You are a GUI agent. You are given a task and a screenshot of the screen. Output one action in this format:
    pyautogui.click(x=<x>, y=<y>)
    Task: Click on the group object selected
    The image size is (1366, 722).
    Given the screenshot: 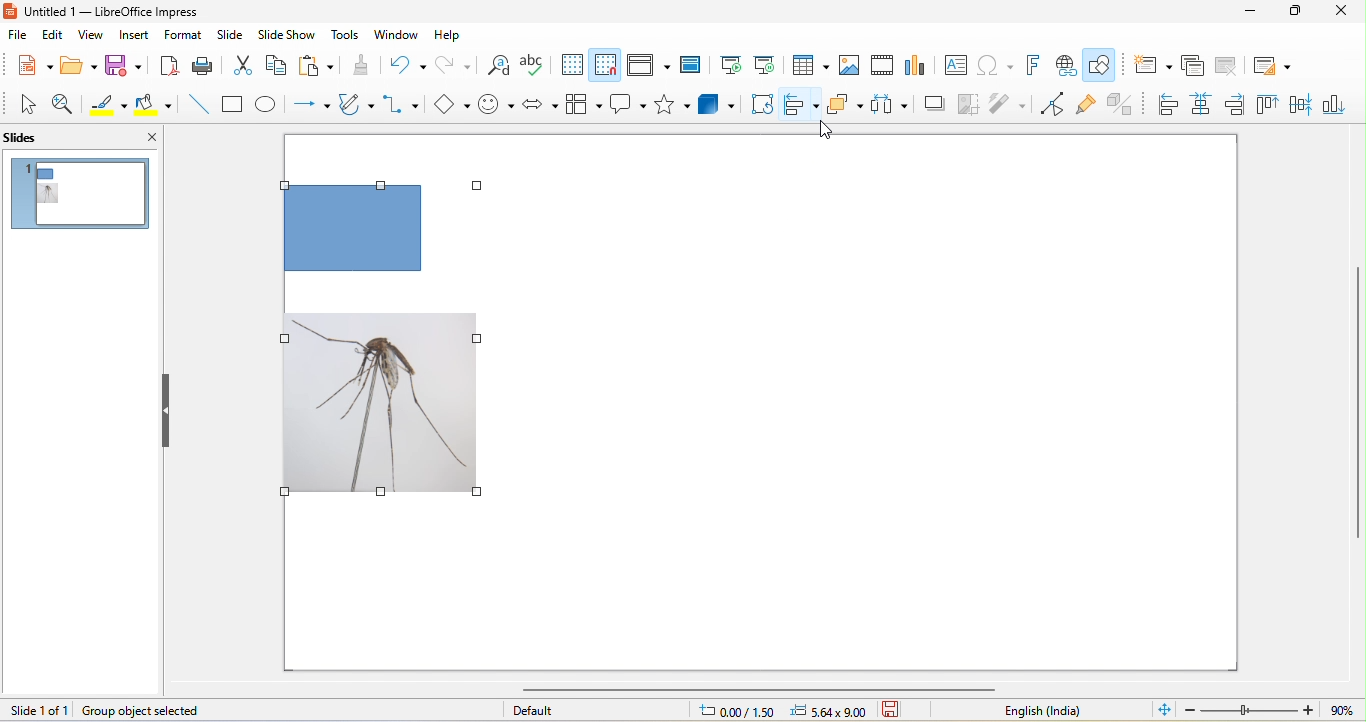 What is the action you would take?
    pyautogui.click(x=169, y=709)
    